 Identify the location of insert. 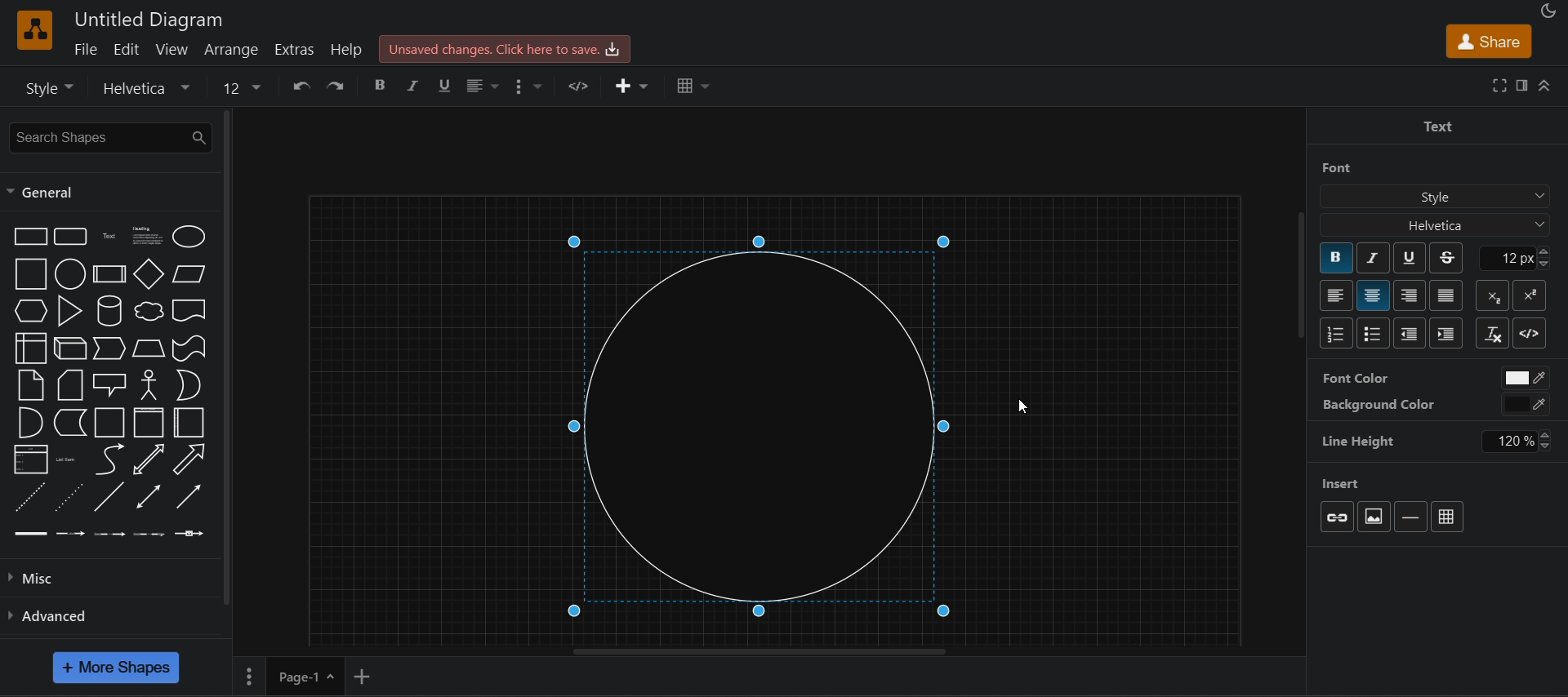
(1348, 481).